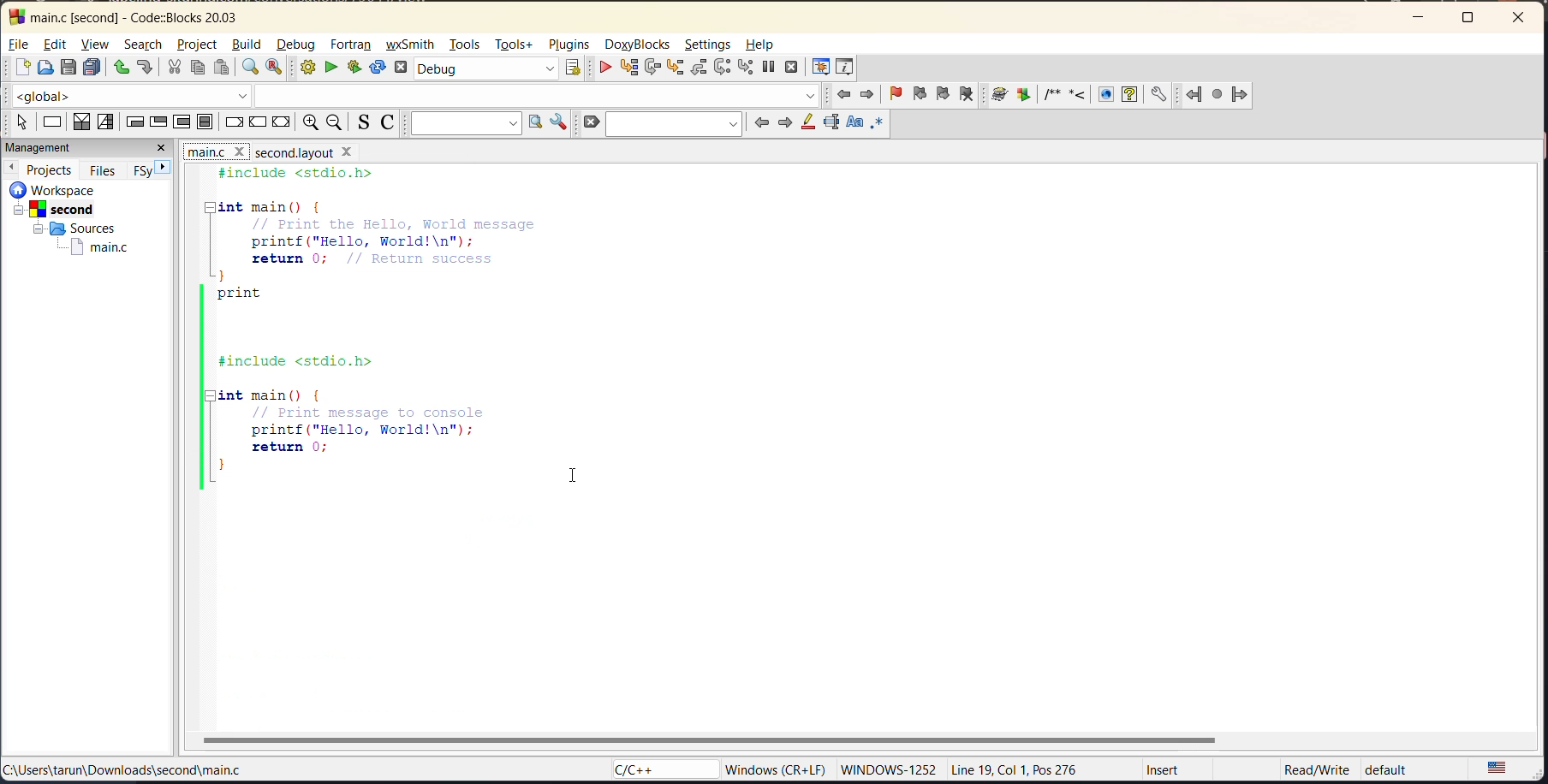  What do you see at coordinates (568, 68) in the screenshot?
I see `show select target dialog` at bounding box center [568, 68].